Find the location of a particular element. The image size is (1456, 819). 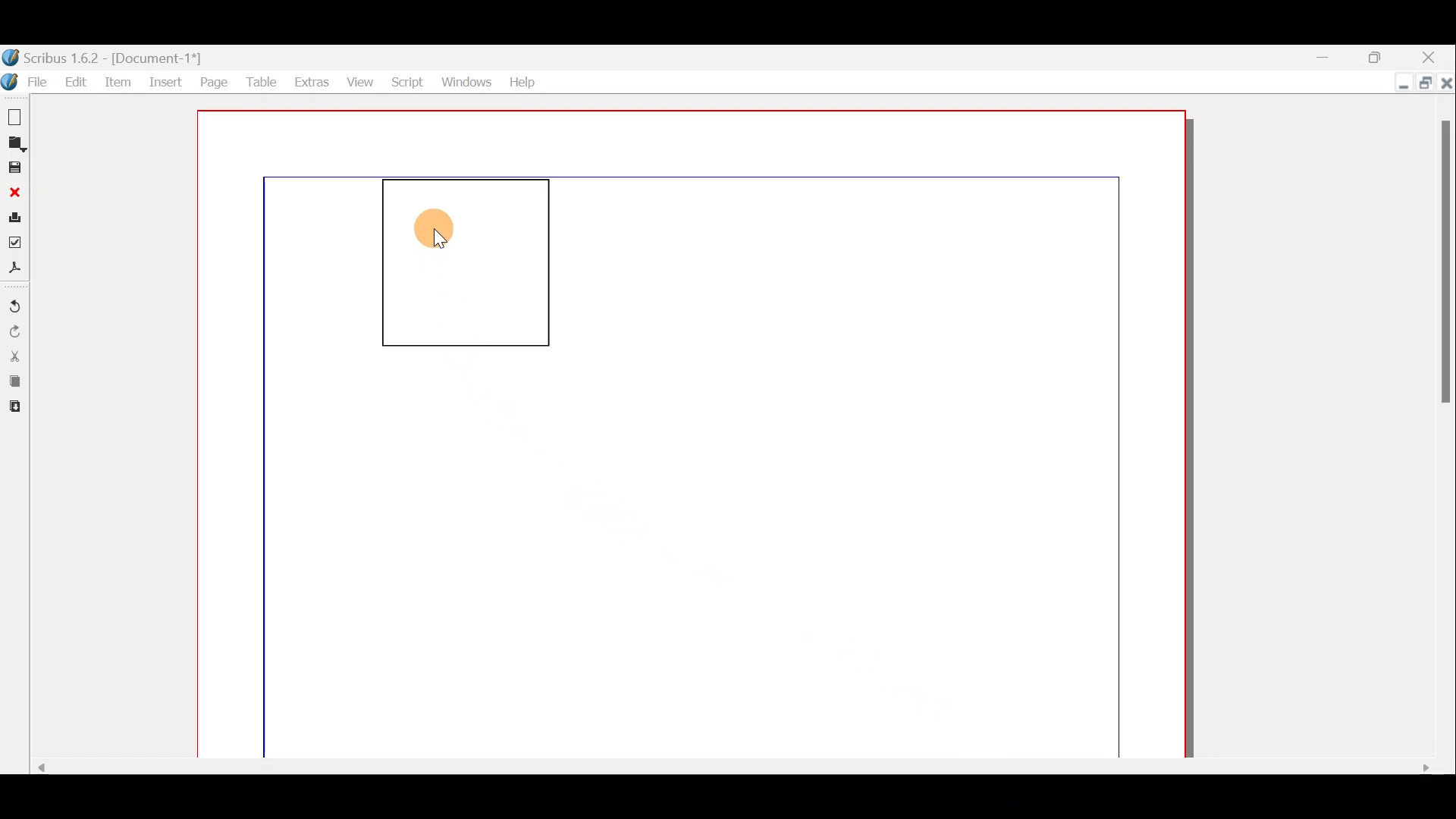

Text frame is located at coordinates (463, 265).